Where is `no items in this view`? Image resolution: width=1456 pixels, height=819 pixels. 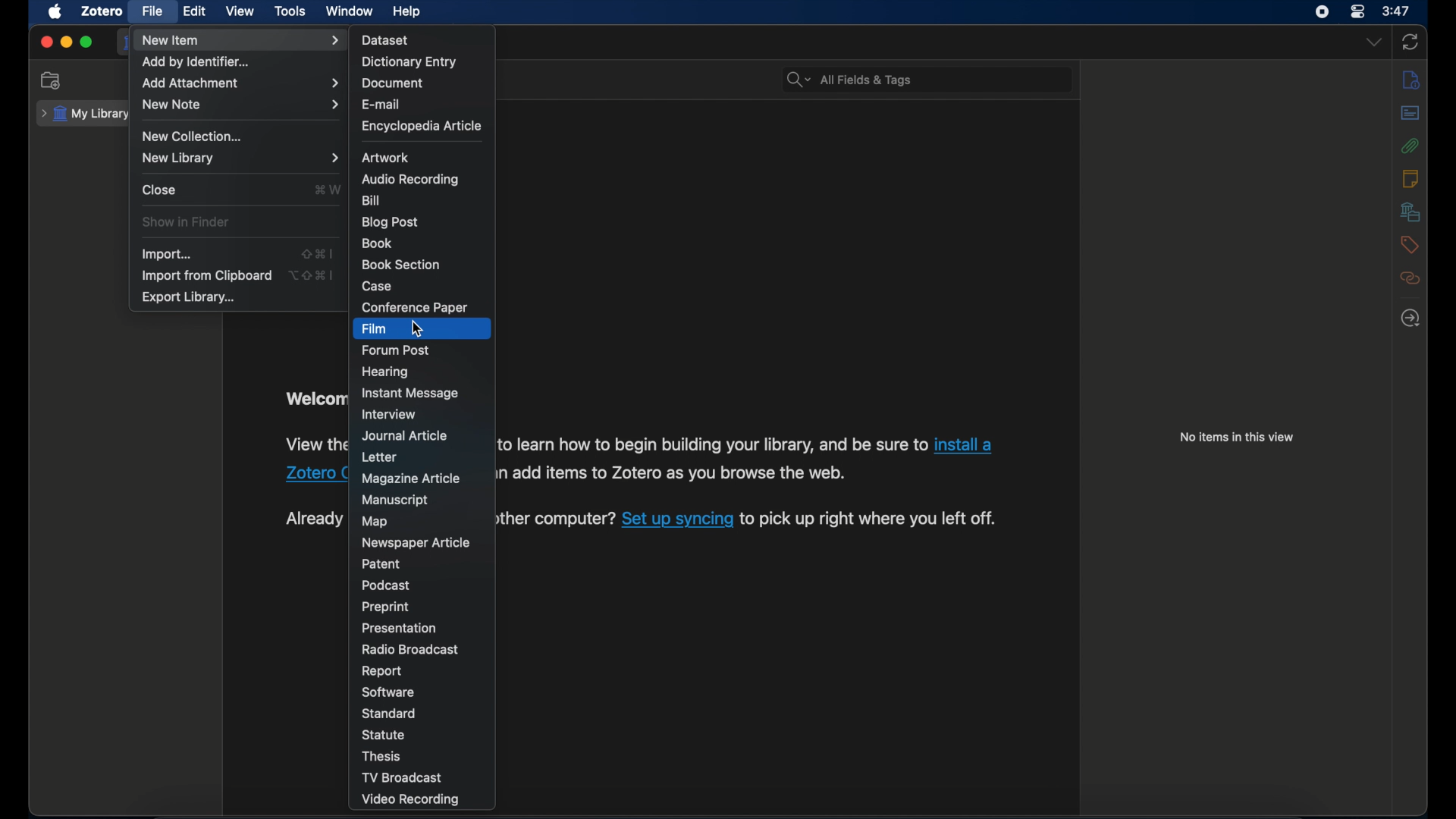
no items in this view is located at coordinates (1236, 437).